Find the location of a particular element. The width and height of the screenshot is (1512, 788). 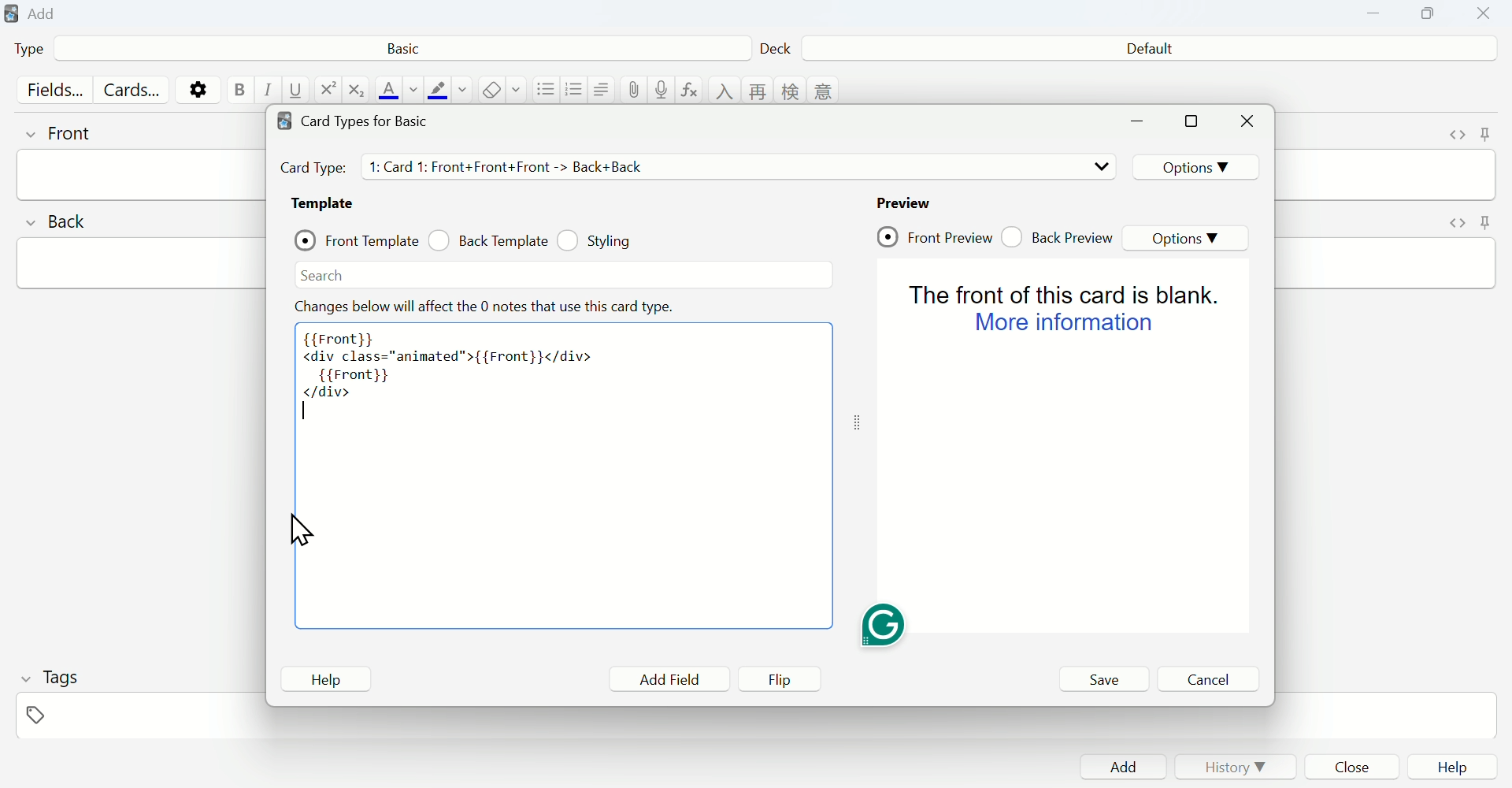

back input field is located at coordinates (141, 262).